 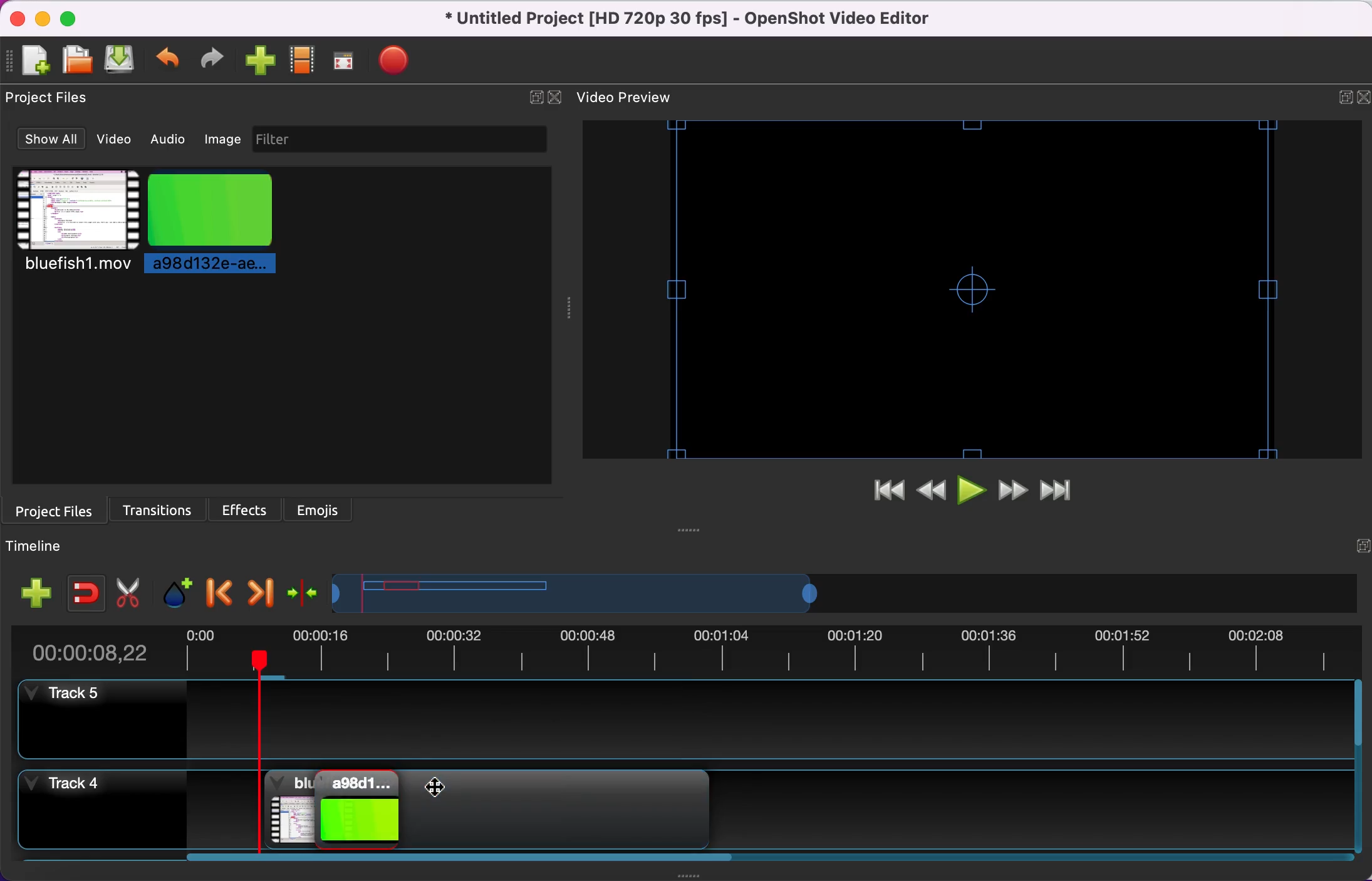 I want to click on video clip, so click(x=271, y=805).